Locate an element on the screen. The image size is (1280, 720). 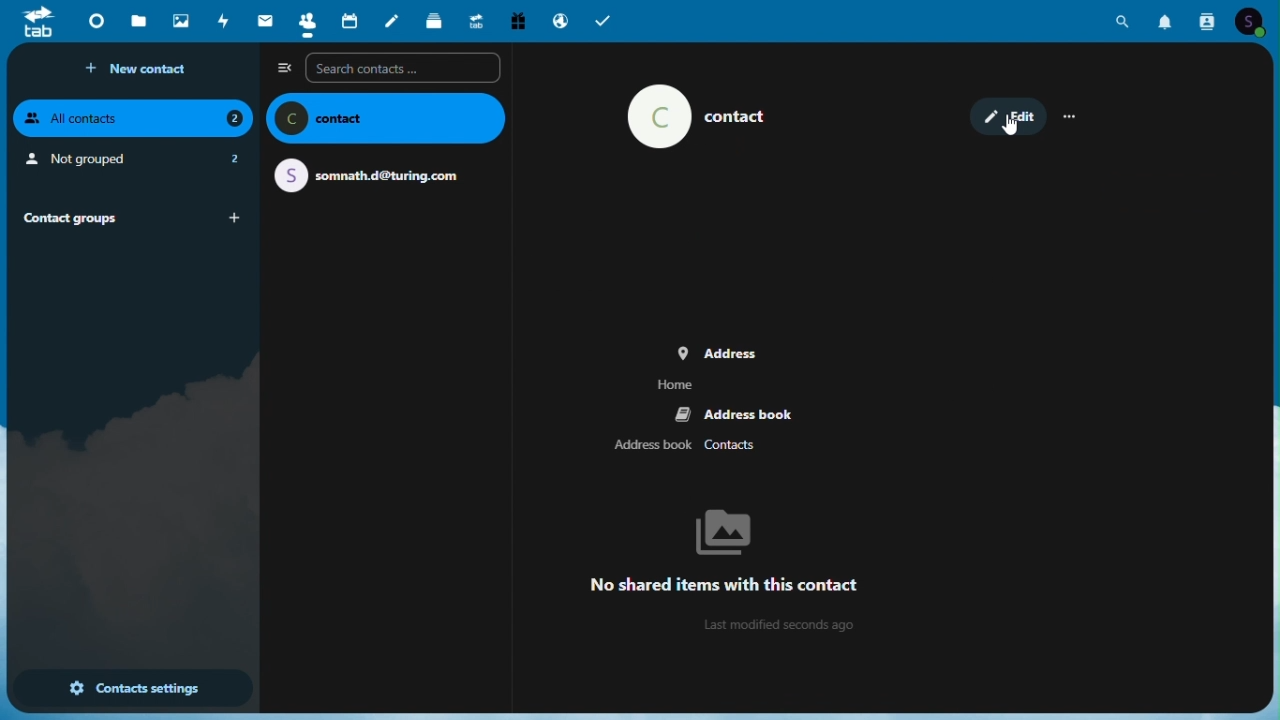
text is located at coordinates (747, 589).